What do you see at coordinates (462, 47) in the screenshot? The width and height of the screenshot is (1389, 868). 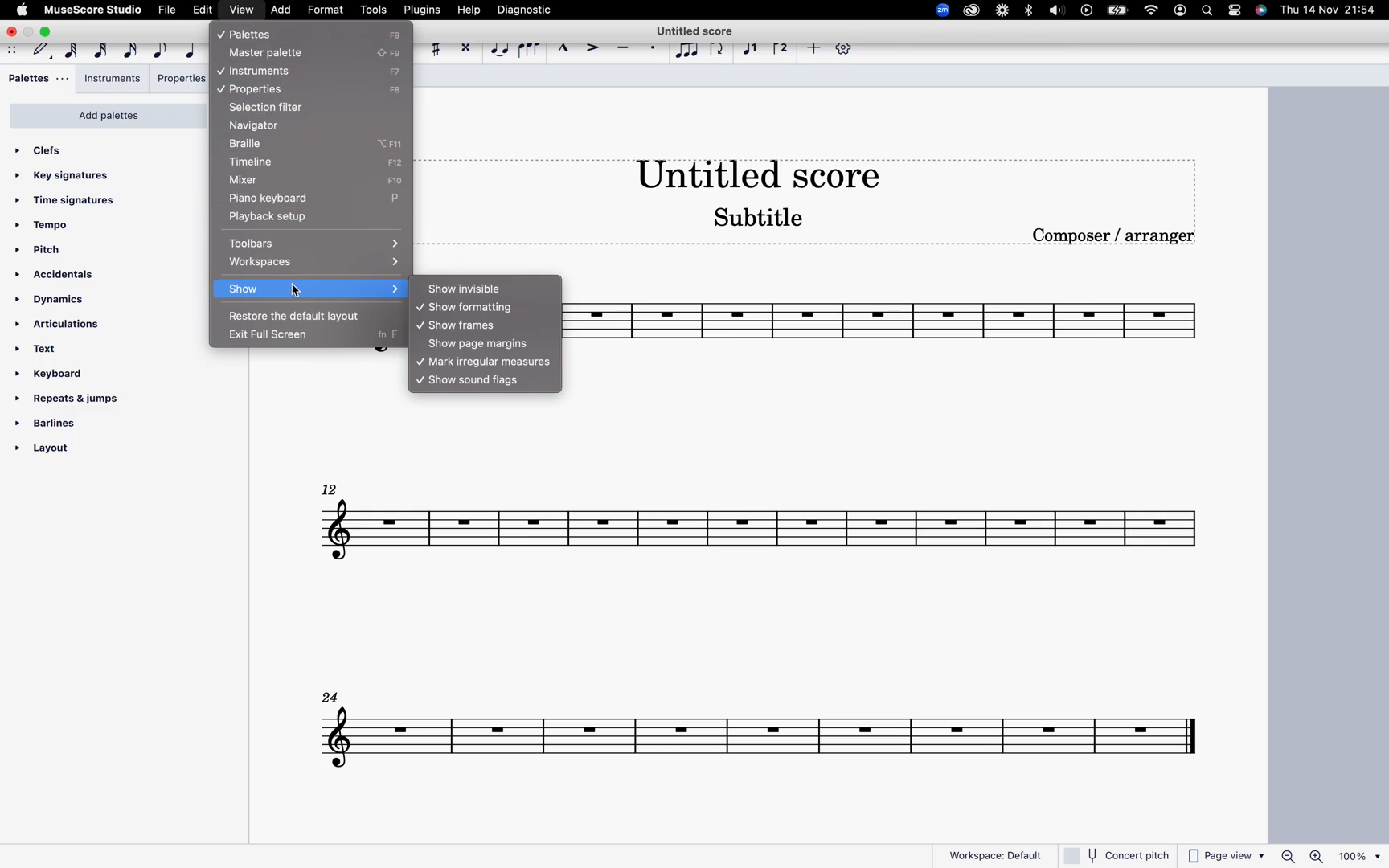 I see `toggle double sharp` at bounding box center [462, 47].